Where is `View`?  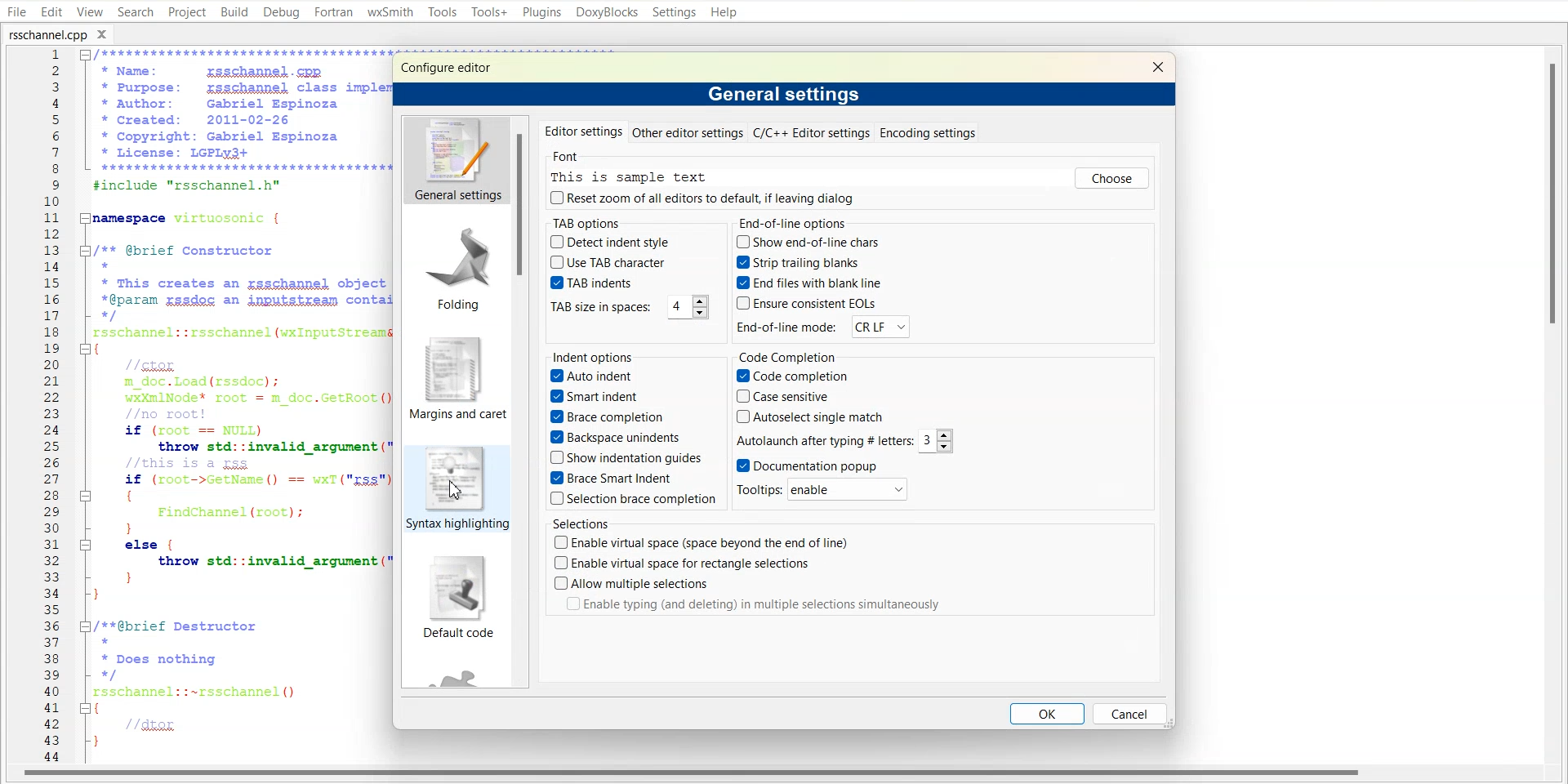 View is located at coordinates (89, 11).